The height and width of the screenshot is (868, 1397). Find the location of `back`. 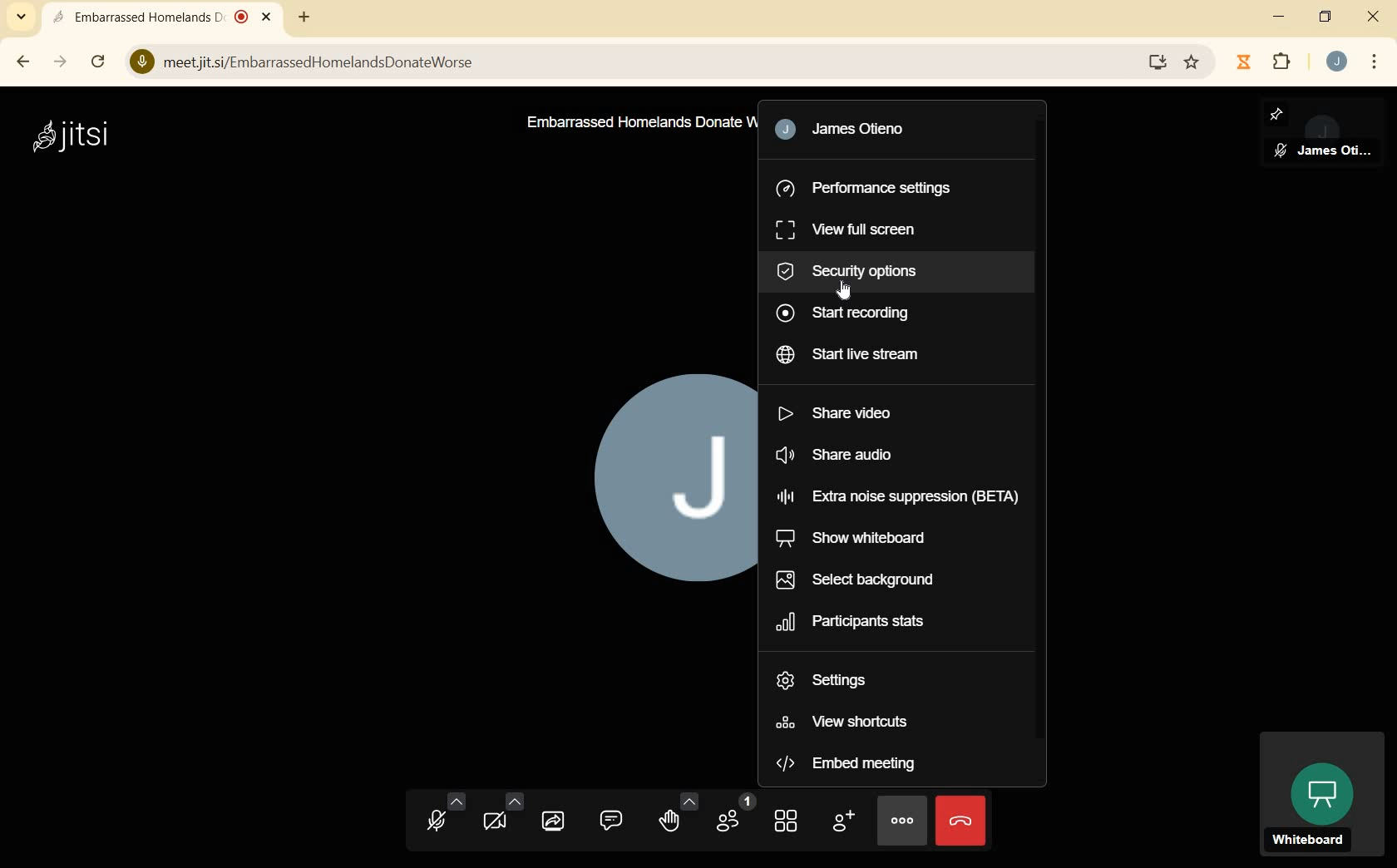

back is located at coordinates (20, 62).